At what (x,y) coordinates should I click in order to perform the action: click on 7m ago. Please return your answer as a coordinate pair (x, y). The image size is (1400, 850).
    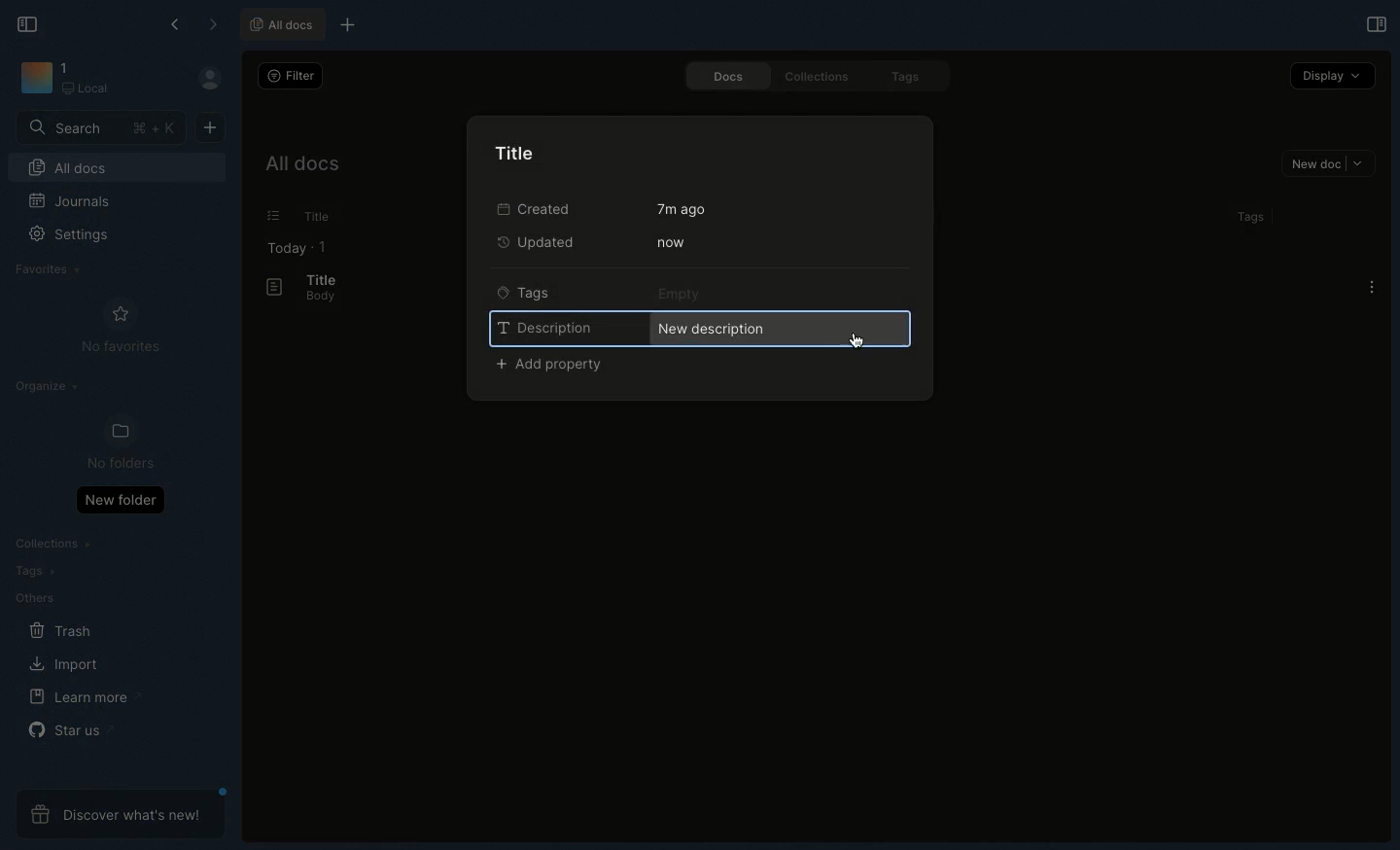
    Looking at the image, I should click on (684, 209).